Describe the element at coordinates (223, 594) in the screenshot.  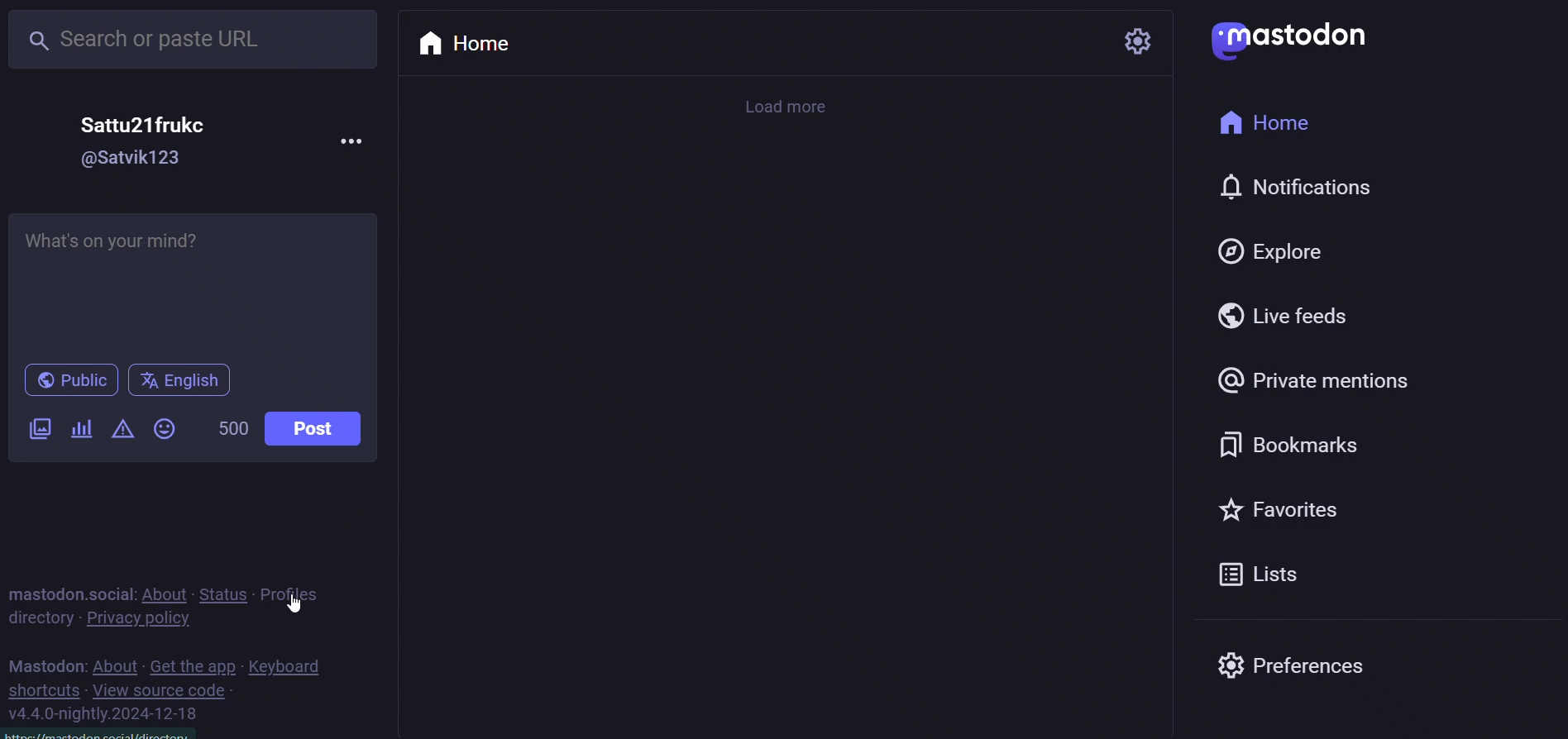
I see `status` at that location.